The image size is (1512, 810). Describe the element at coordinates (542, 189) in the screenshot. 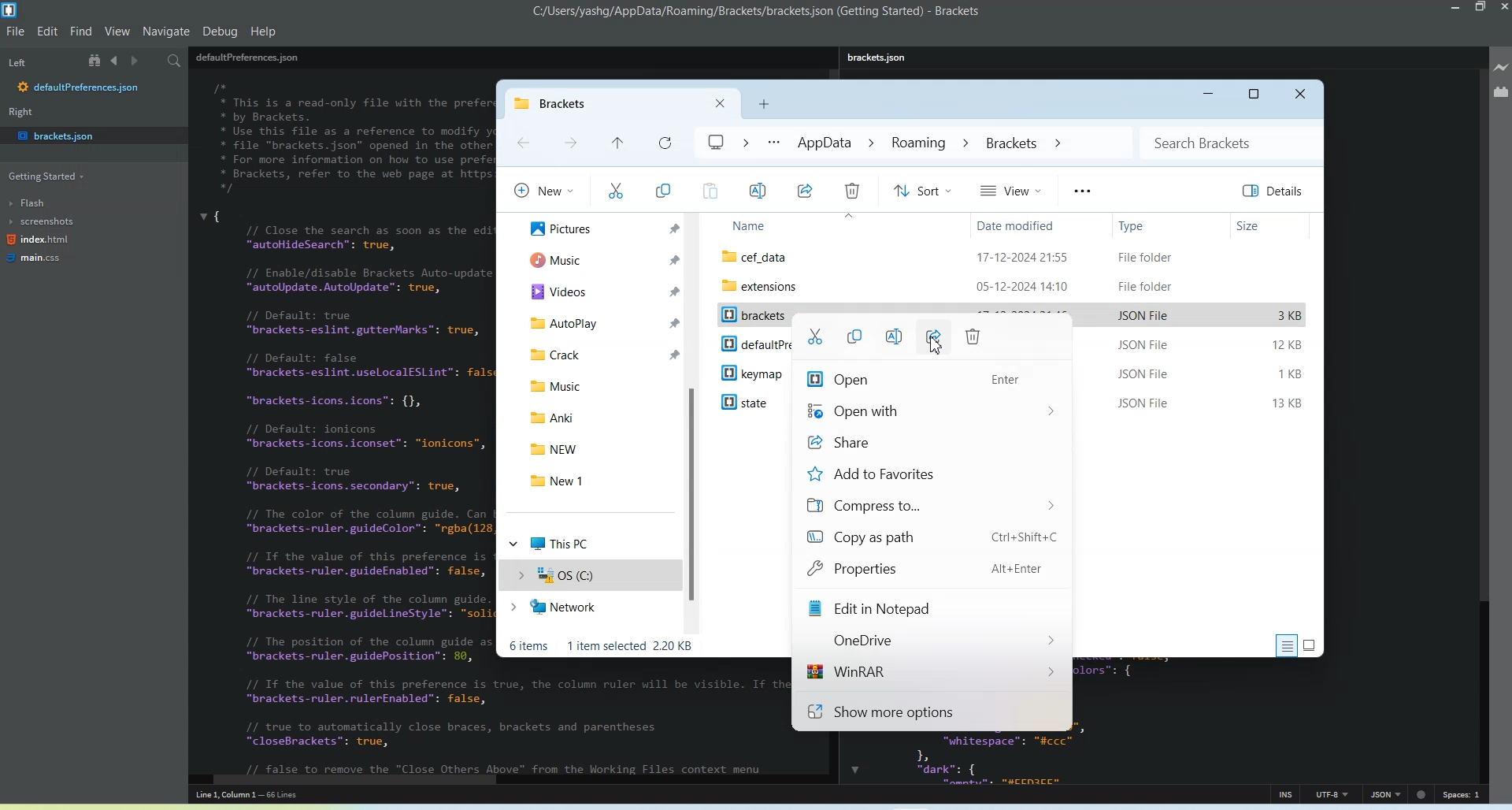

I see `New` at that location.